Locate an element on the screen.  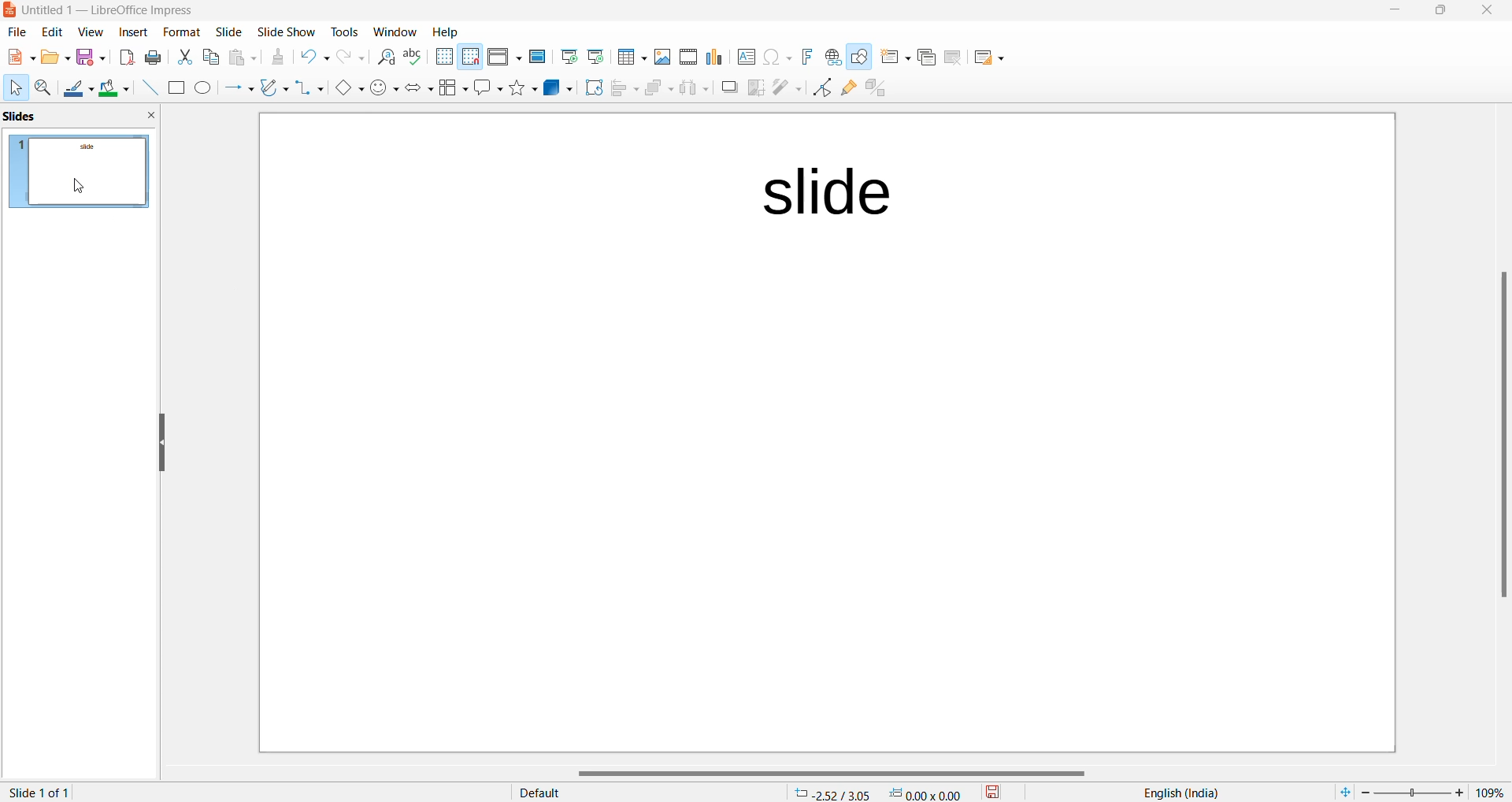
scrollbar is located at coordinates (839, 774).